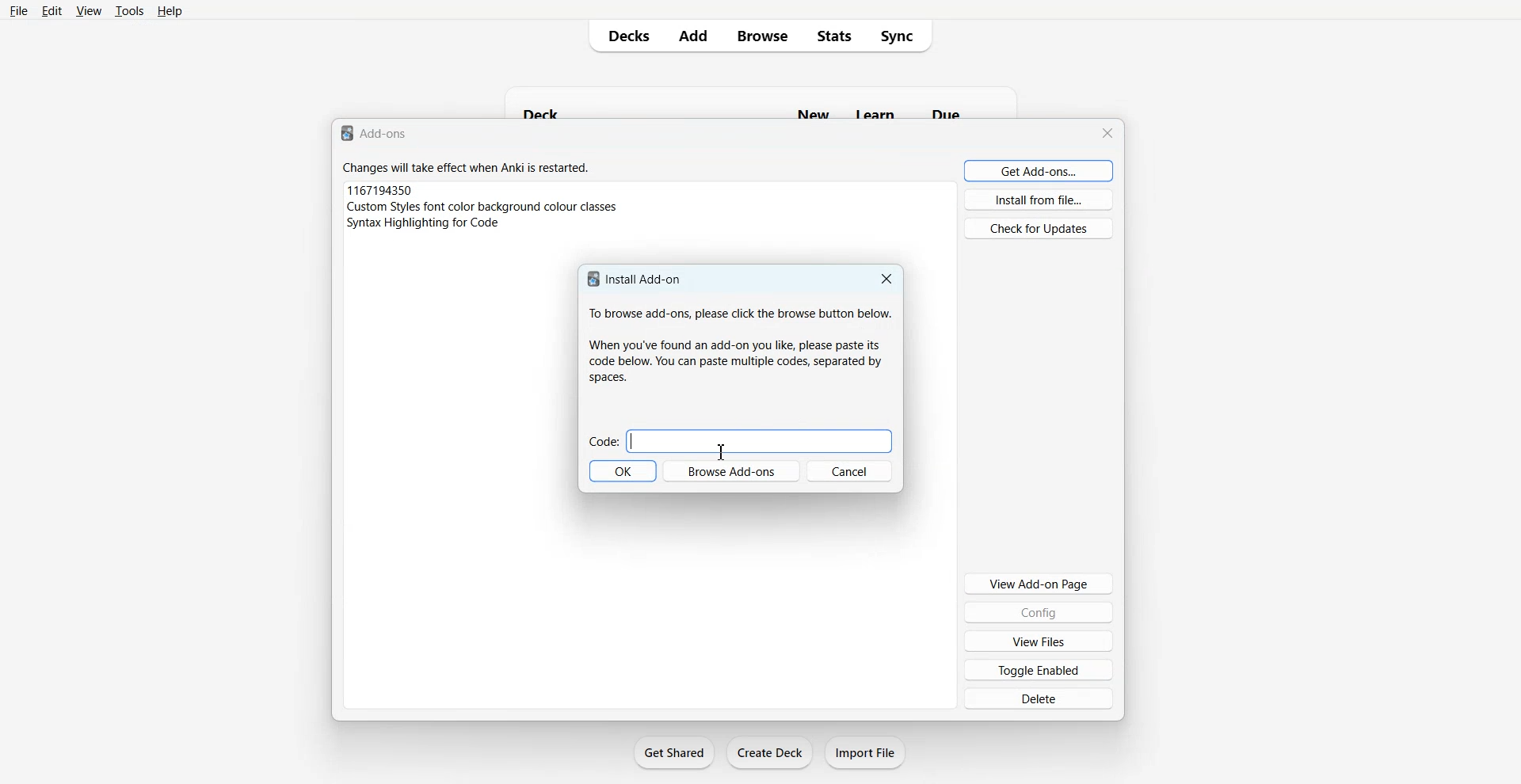 This screenshot has width=1521, height=784. Describe the element at coordinates (486, 206) in the screenshot. I see `‘Custom Styles font color background colour classes` at that location.